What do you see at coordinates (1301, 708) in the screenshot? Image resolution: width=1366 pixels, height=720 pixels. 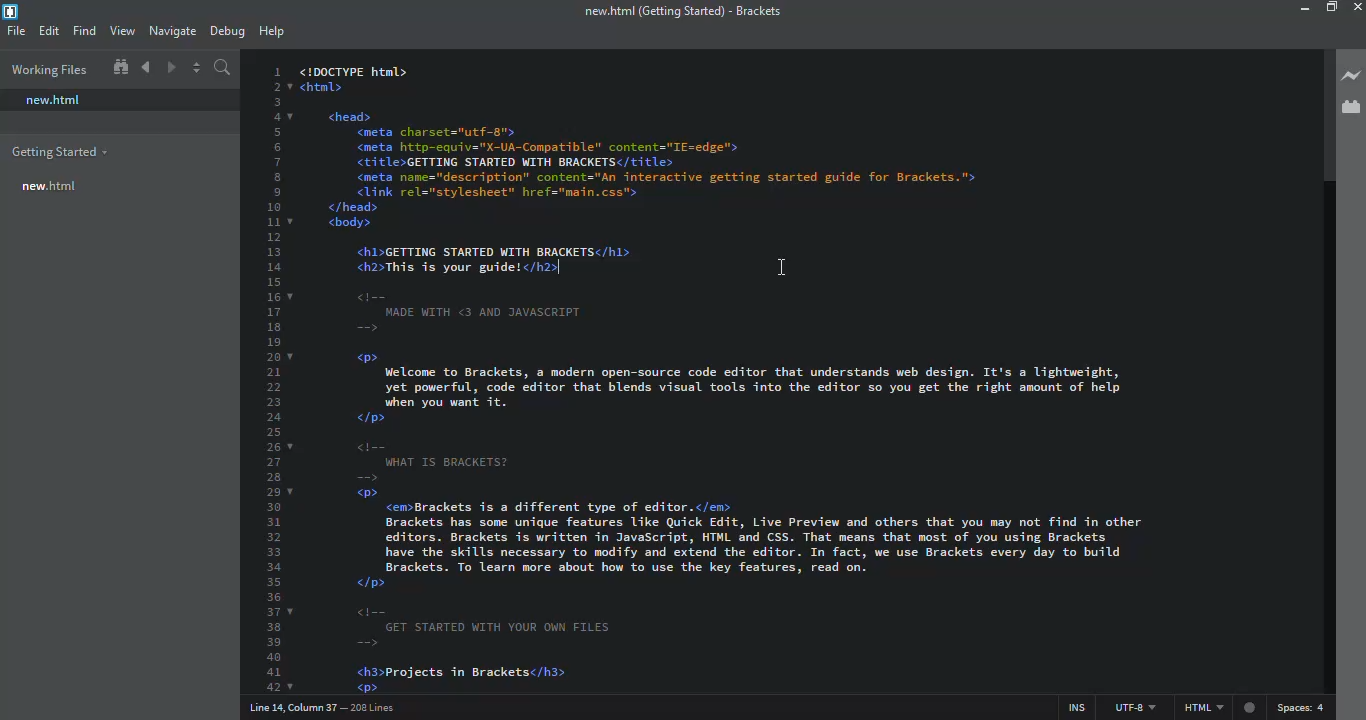 I see `spaces` at bounding box center [1301, 708].